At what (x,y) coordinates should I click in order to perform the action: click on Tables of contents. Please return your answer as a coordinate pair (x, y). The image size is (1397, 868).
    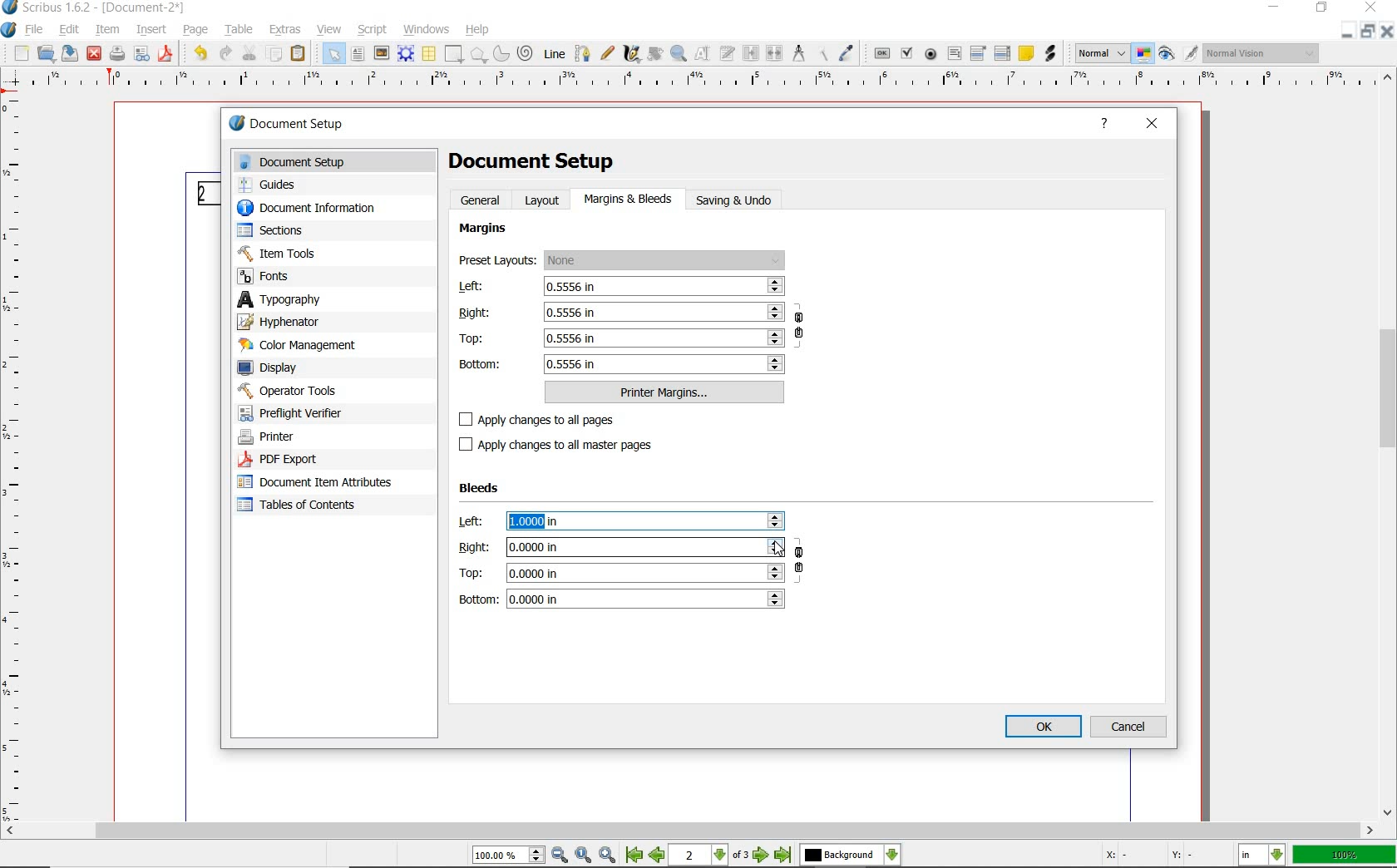
    Looking at the image, I should click on (308, 506).